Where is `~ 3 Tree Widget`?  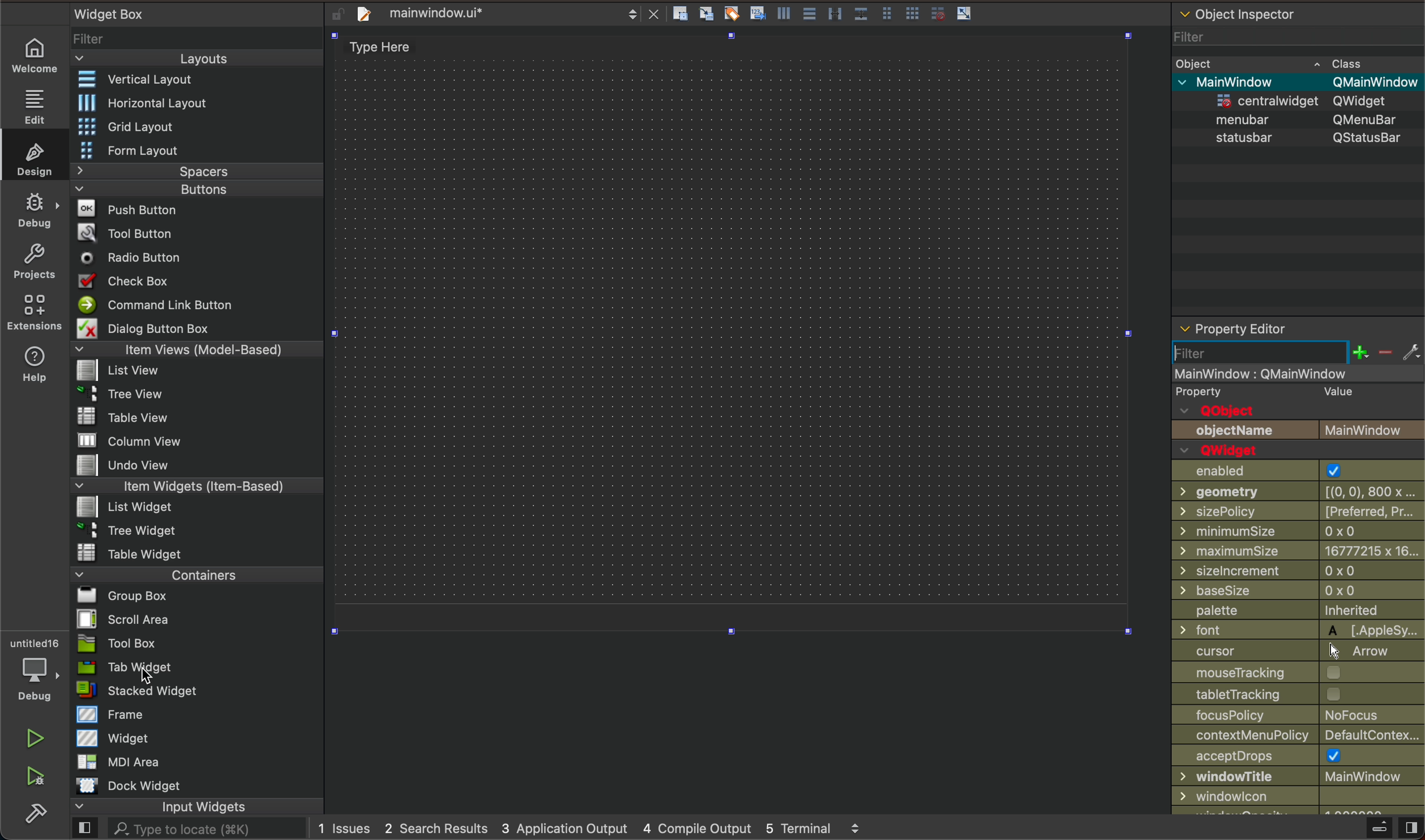
~ 3 Tree Widget is located at coordinates (119, 530).